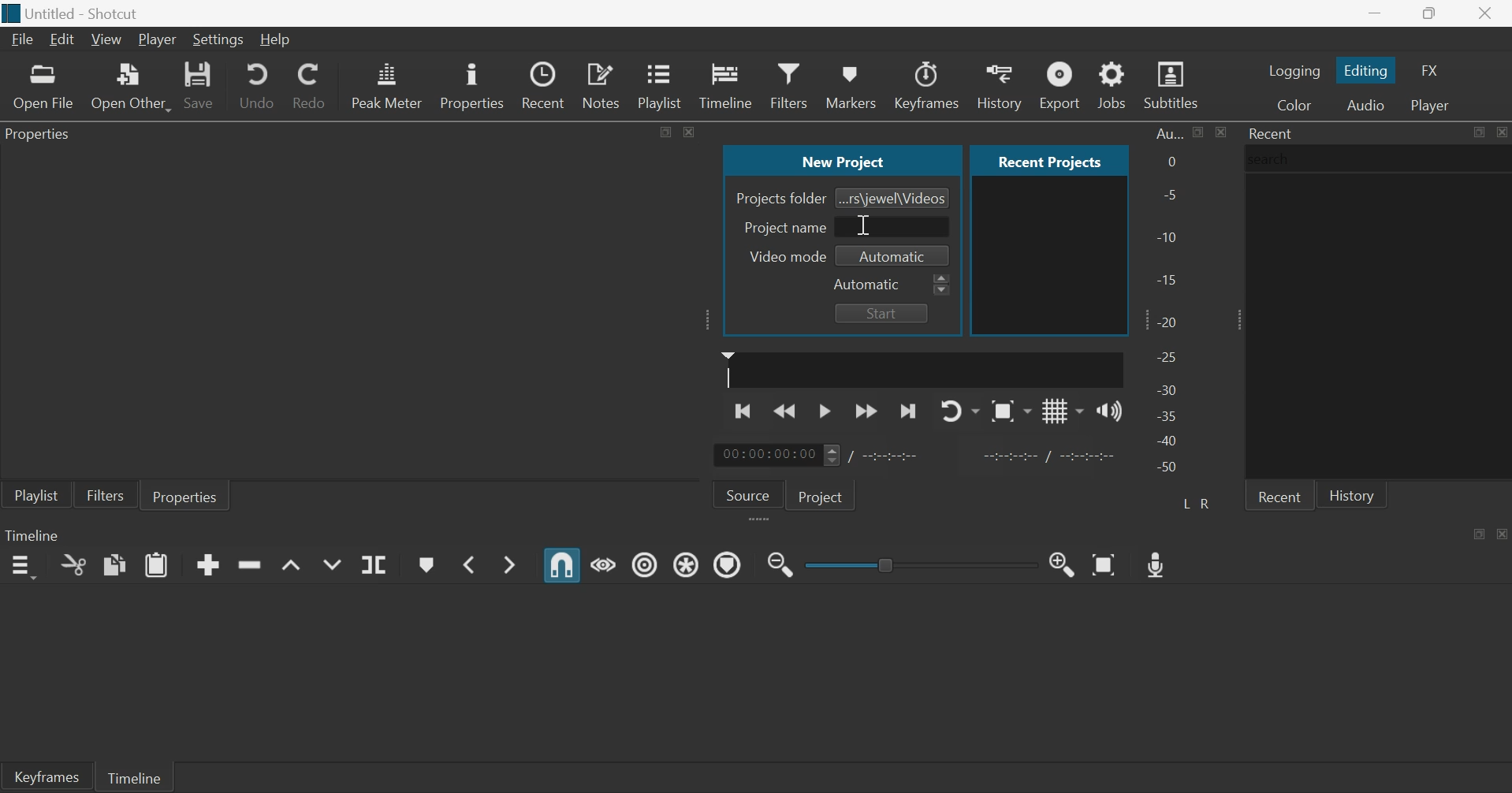 This screenshot has width=1512, height=793. Describe the element at coordinates (1501, 132) in the screenshot. I see `Close` at that location.